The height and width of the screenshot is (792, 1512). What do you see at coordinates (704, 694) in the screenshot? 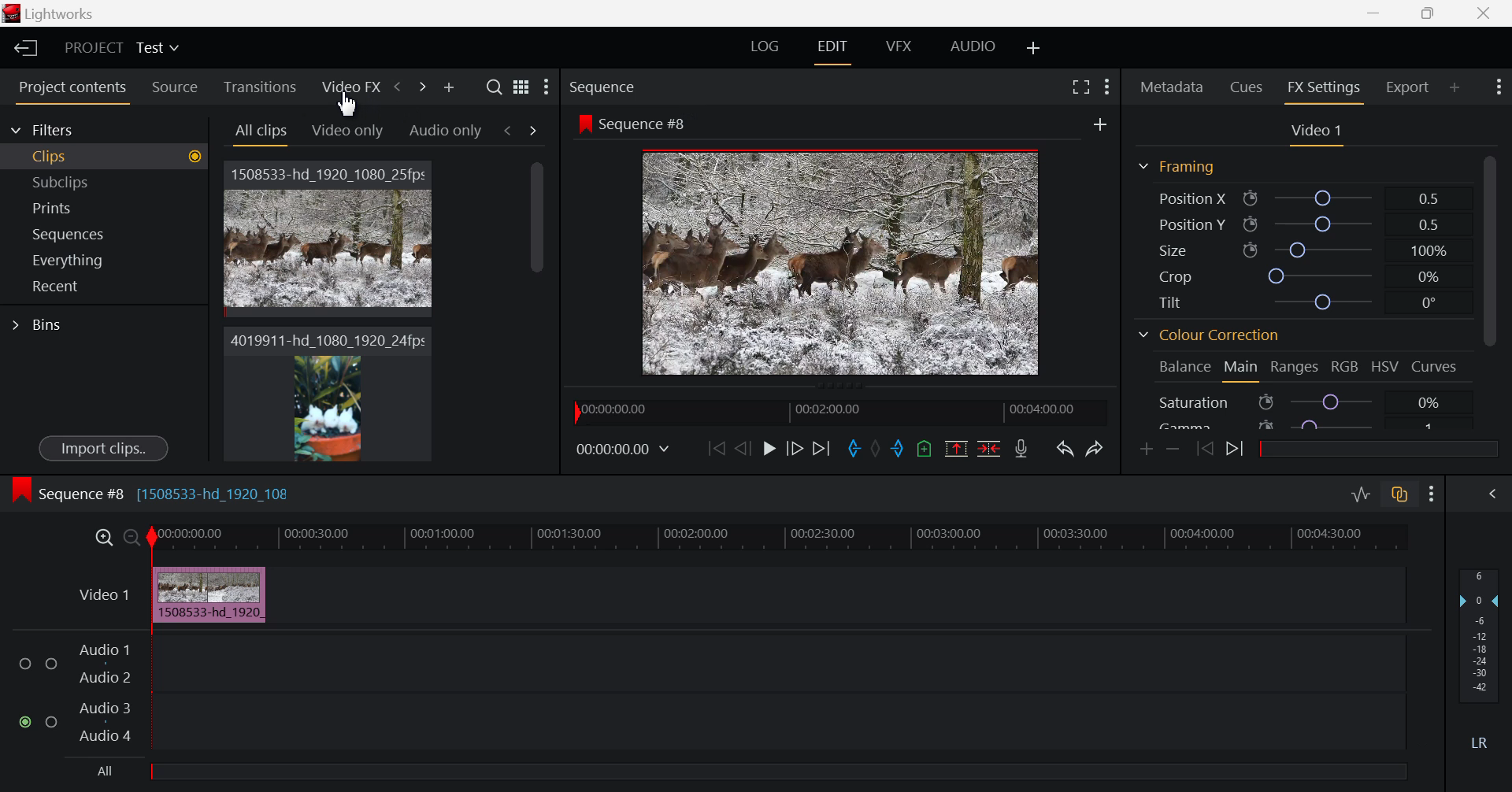
I see `Audio Input Fields` at bounding box center [704, 694].